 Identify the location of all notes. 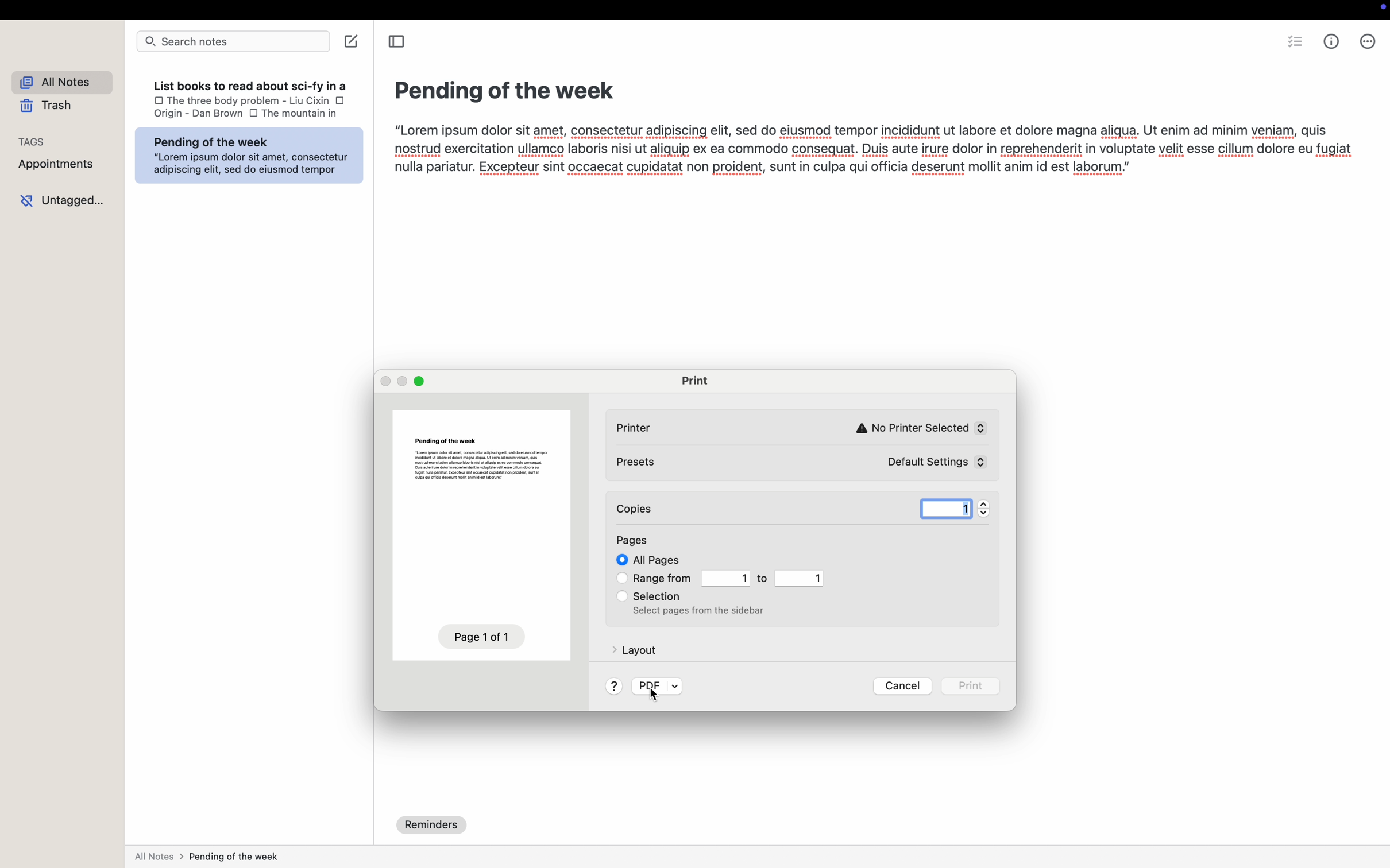
(61, 82).